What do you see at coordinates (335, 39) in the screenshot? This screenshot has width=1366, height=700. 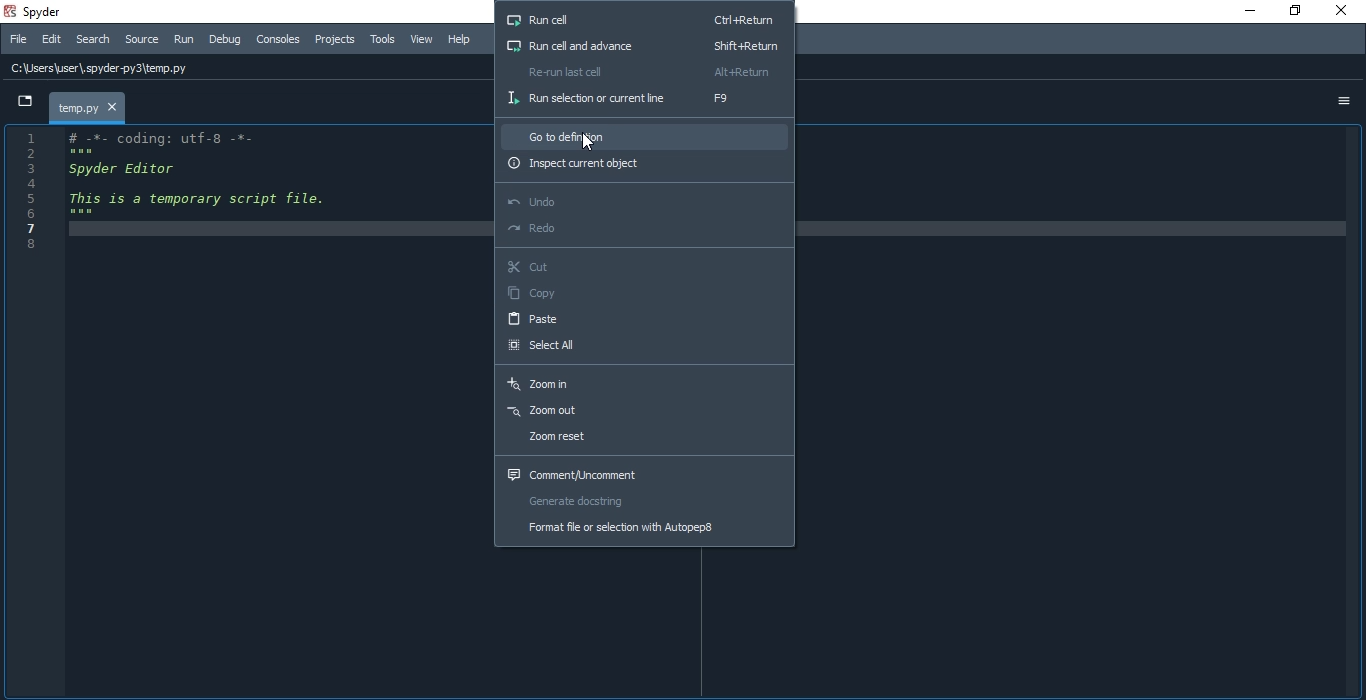 I see `Projects` at bounding box center [335, 39].